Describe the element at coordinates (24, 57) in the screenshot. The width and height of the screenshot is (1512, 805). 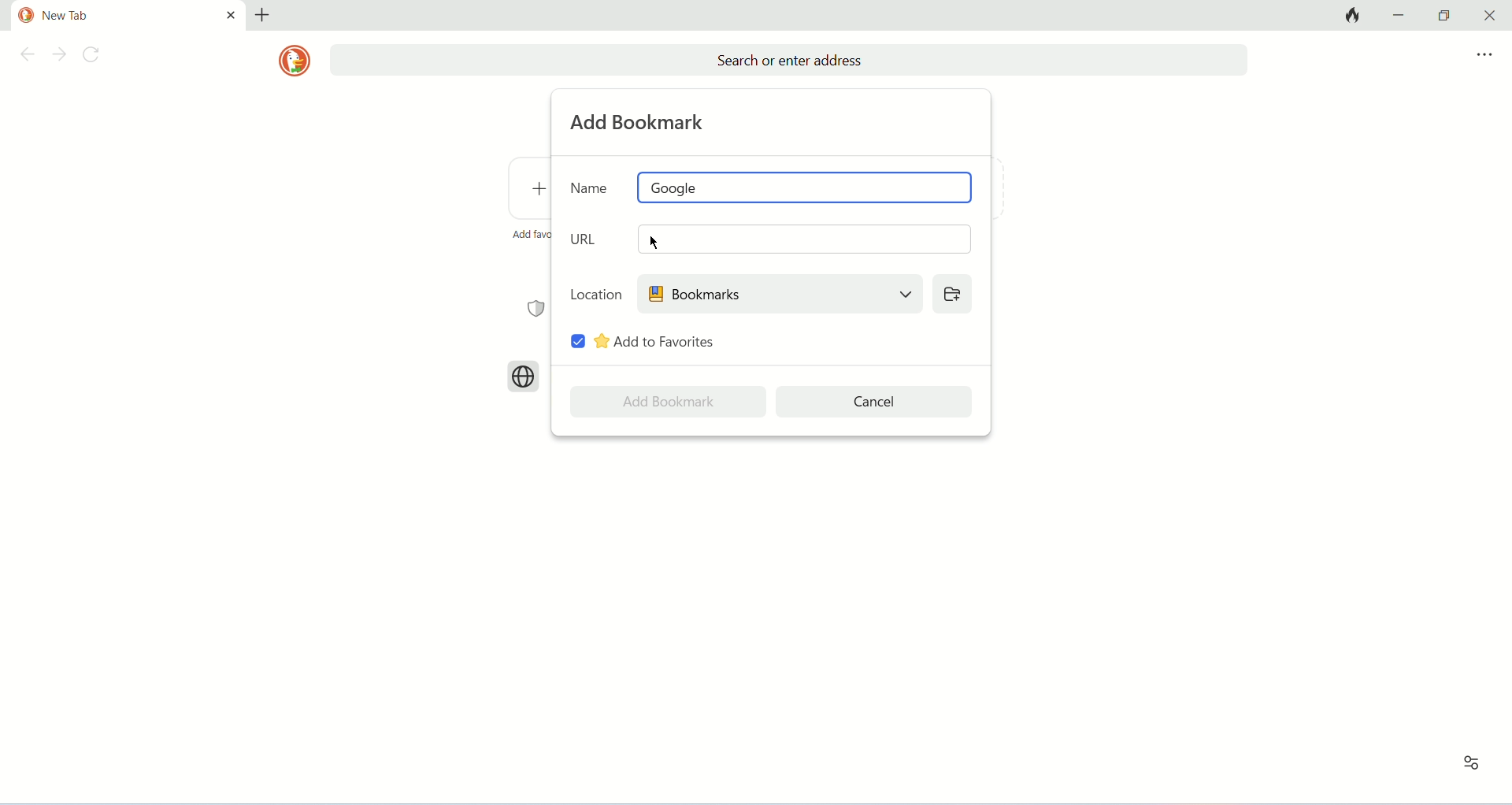
I see `go back` at that location.